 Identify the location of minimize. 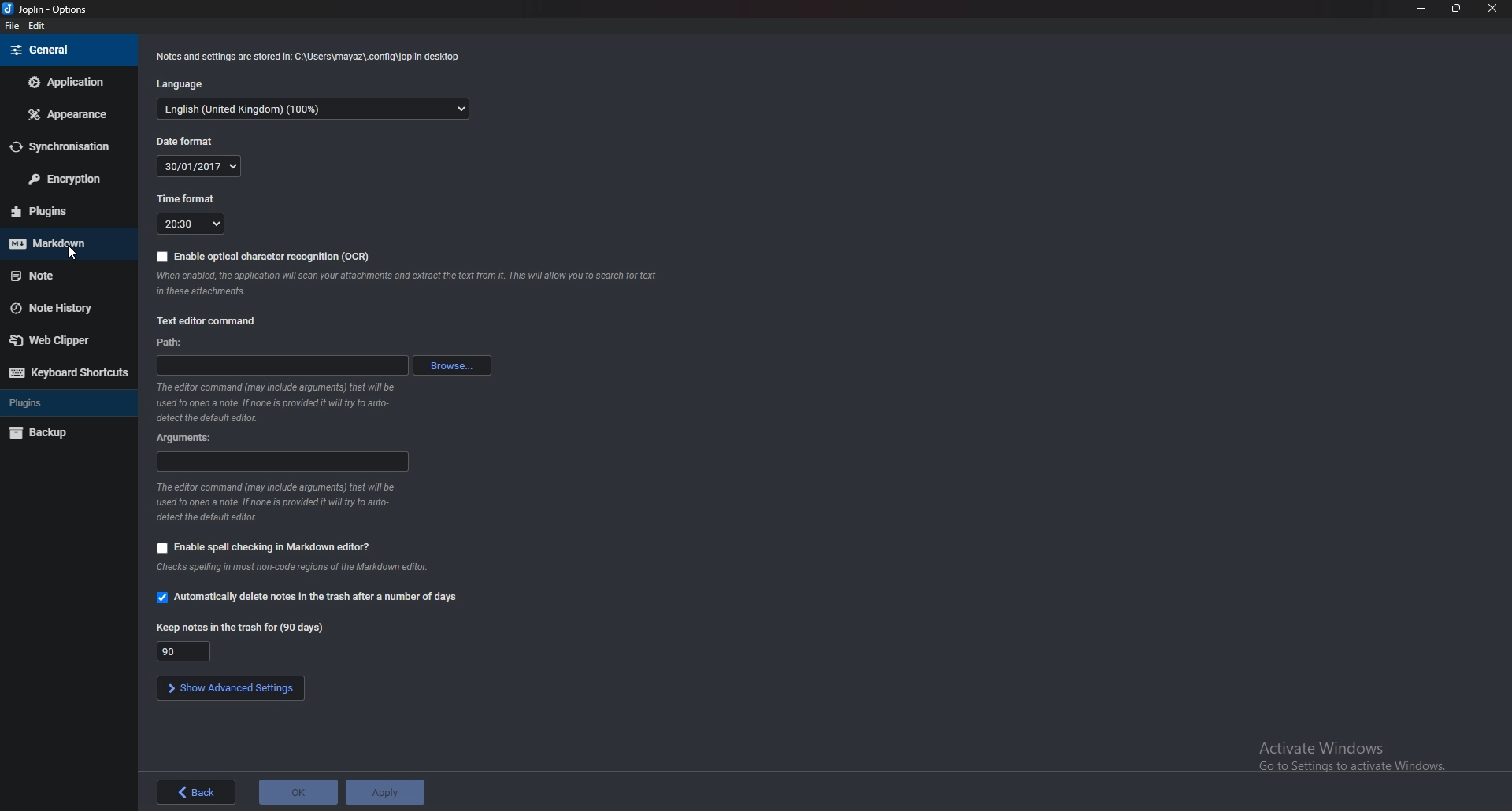
(1421, 8).